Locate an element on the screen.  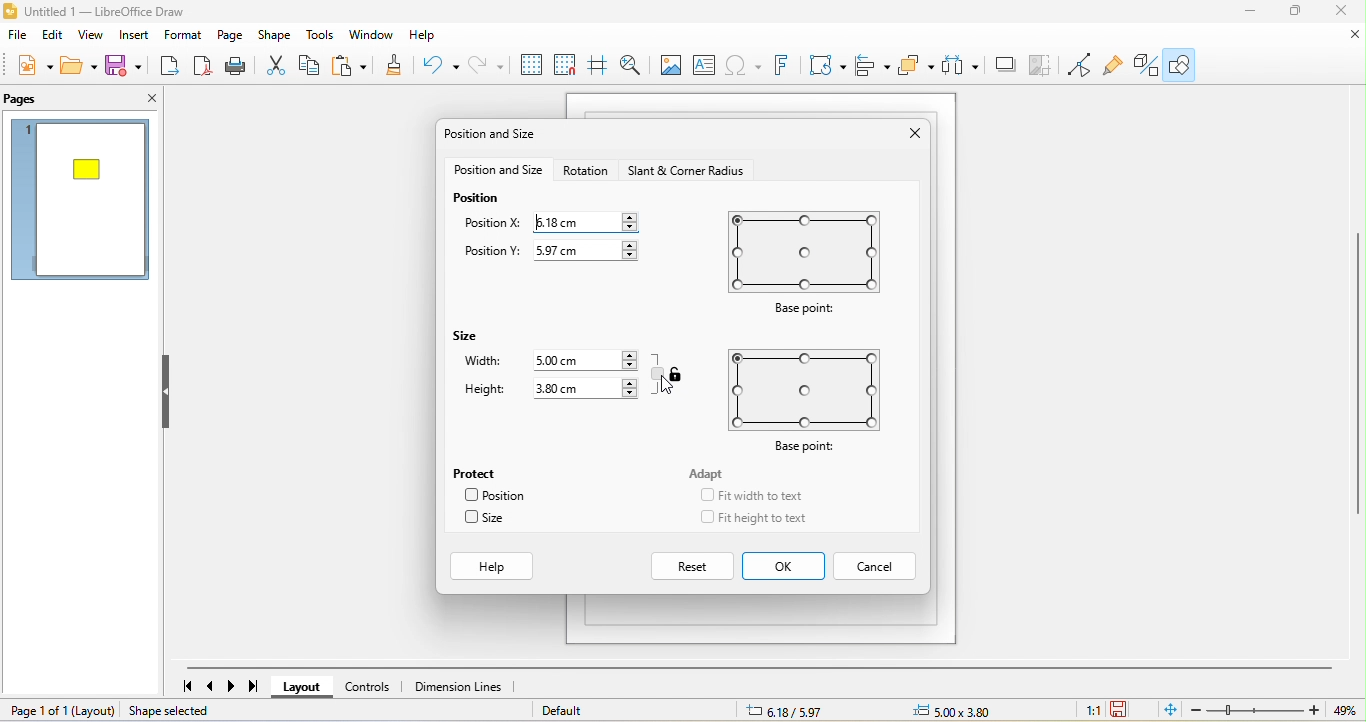
next page is located at coordinates (235, 687).